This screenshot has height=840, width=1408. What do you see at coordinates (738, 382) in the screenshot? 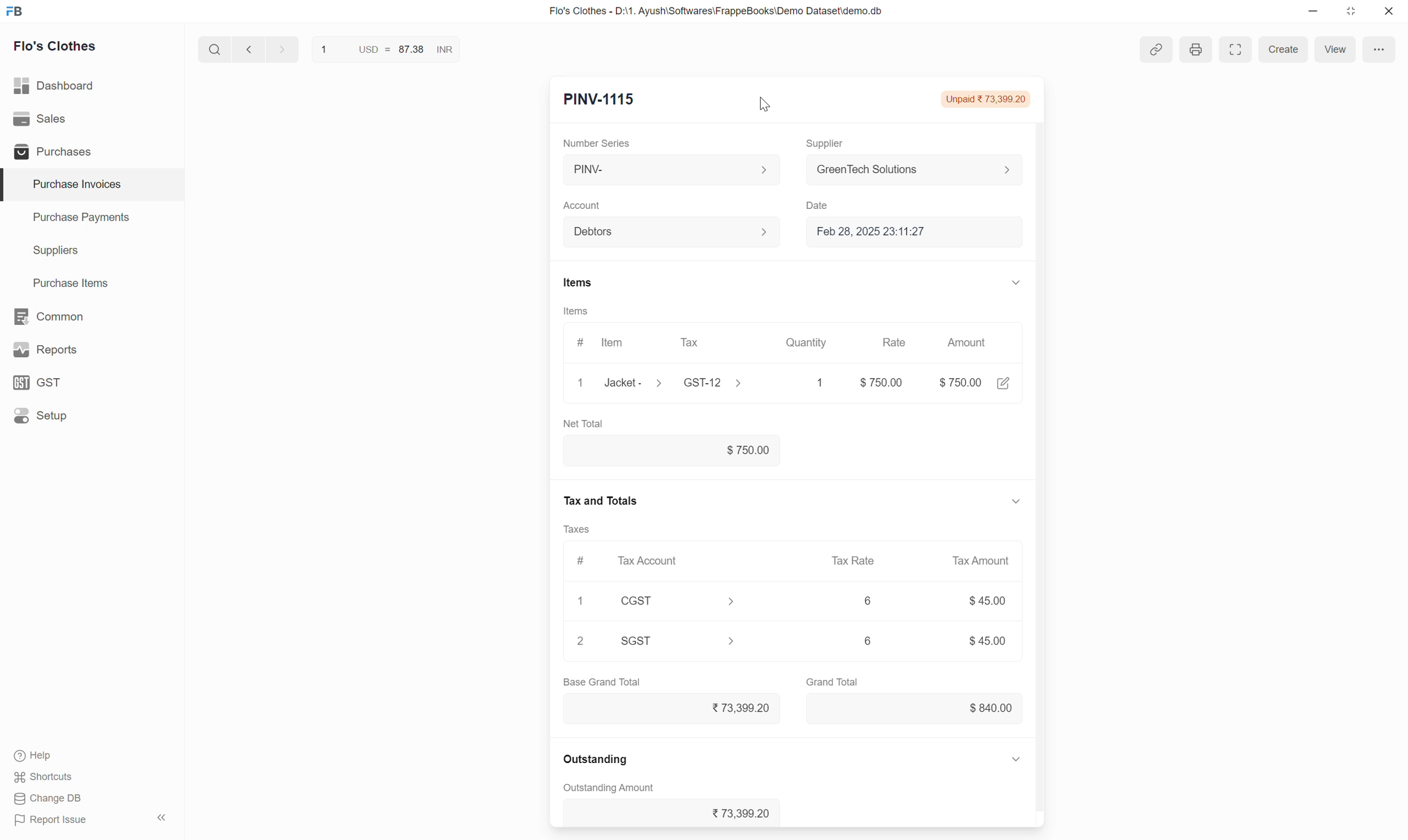
I see `Edit tax details` at bounding box center [738, 382].